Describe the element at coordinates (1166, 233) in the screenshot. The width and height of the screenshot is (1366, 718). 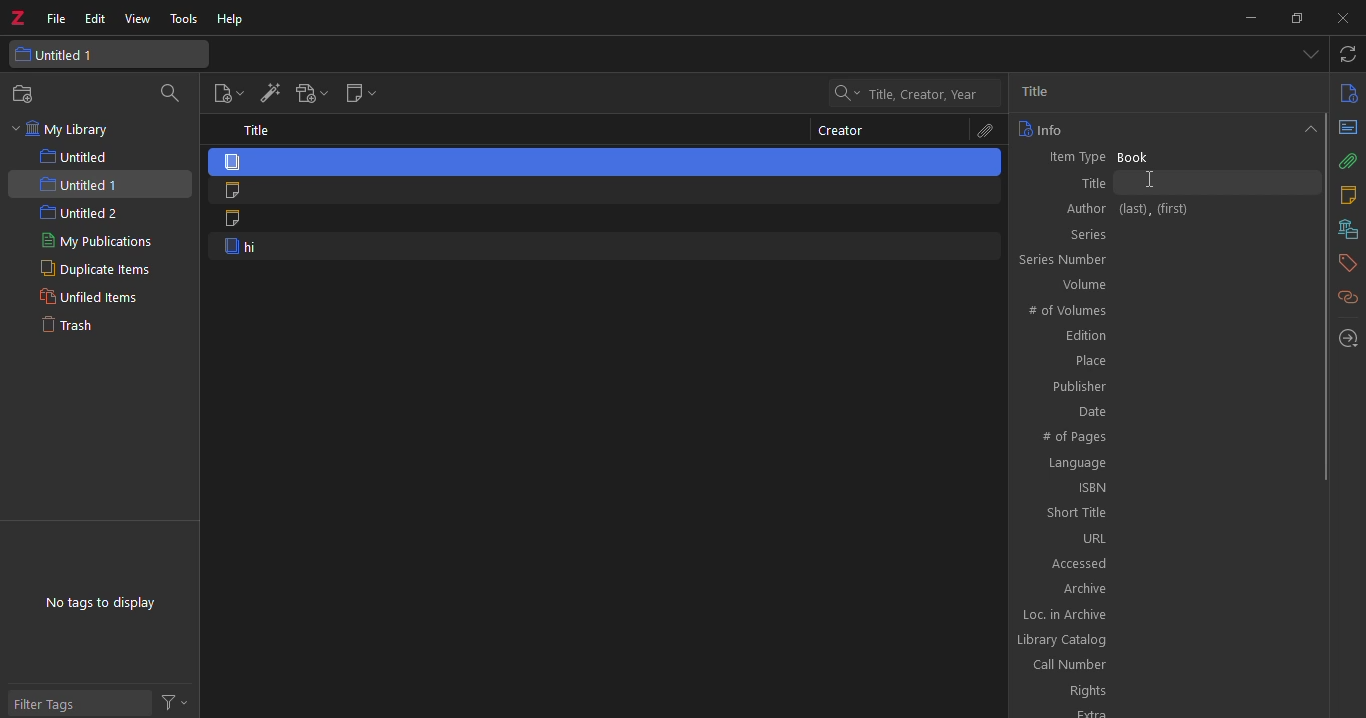
I see `series` at that location.